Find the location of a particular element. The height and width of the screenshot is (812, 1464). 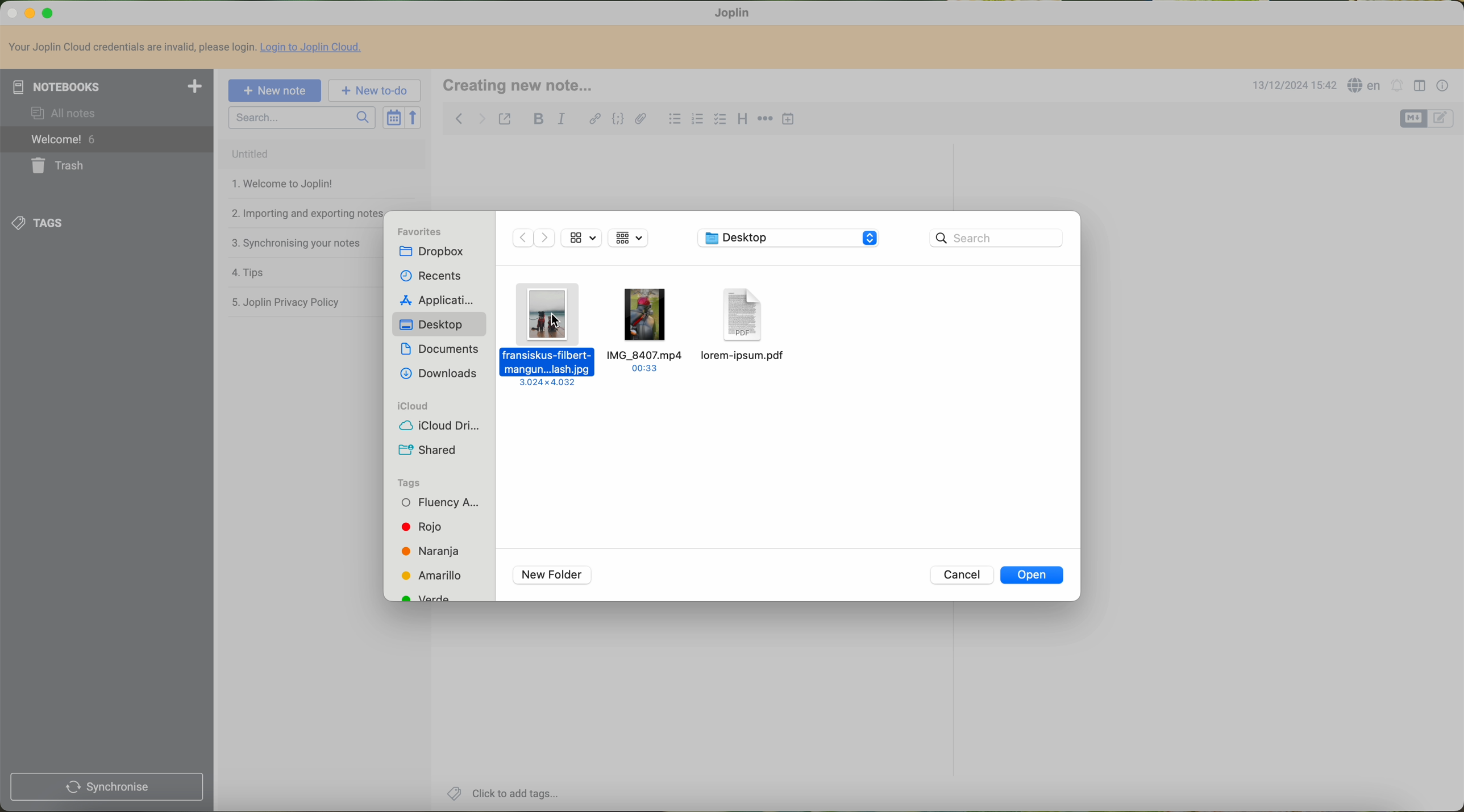

navigate foward is located at coordinates (482, 119).